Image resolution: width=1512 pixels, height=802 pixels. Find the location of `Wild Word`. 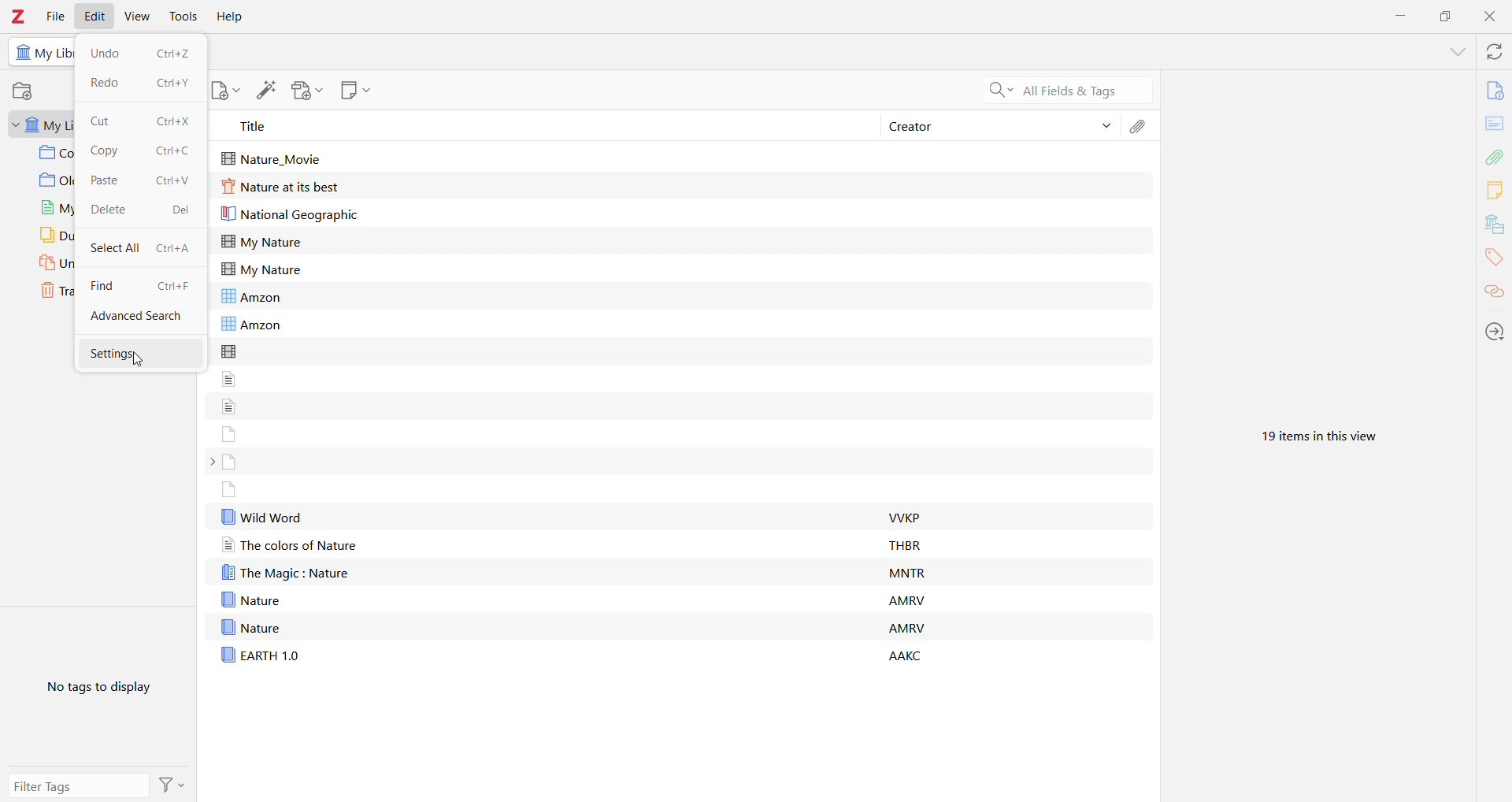

Wild Word is located at coordinates (262, 516).